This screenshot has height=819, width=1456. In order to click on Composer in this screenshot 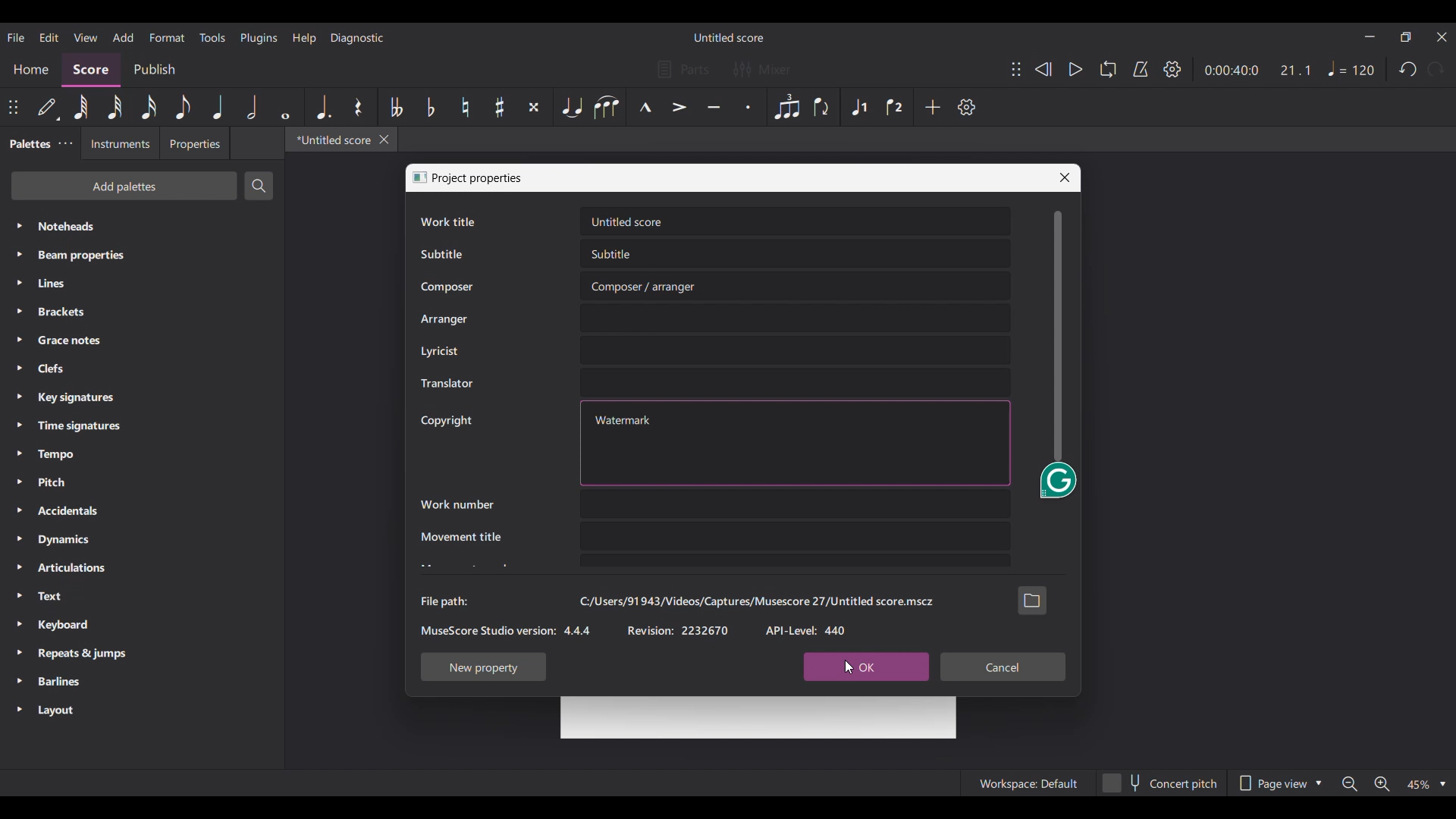, I will do `click(447, 287)`.